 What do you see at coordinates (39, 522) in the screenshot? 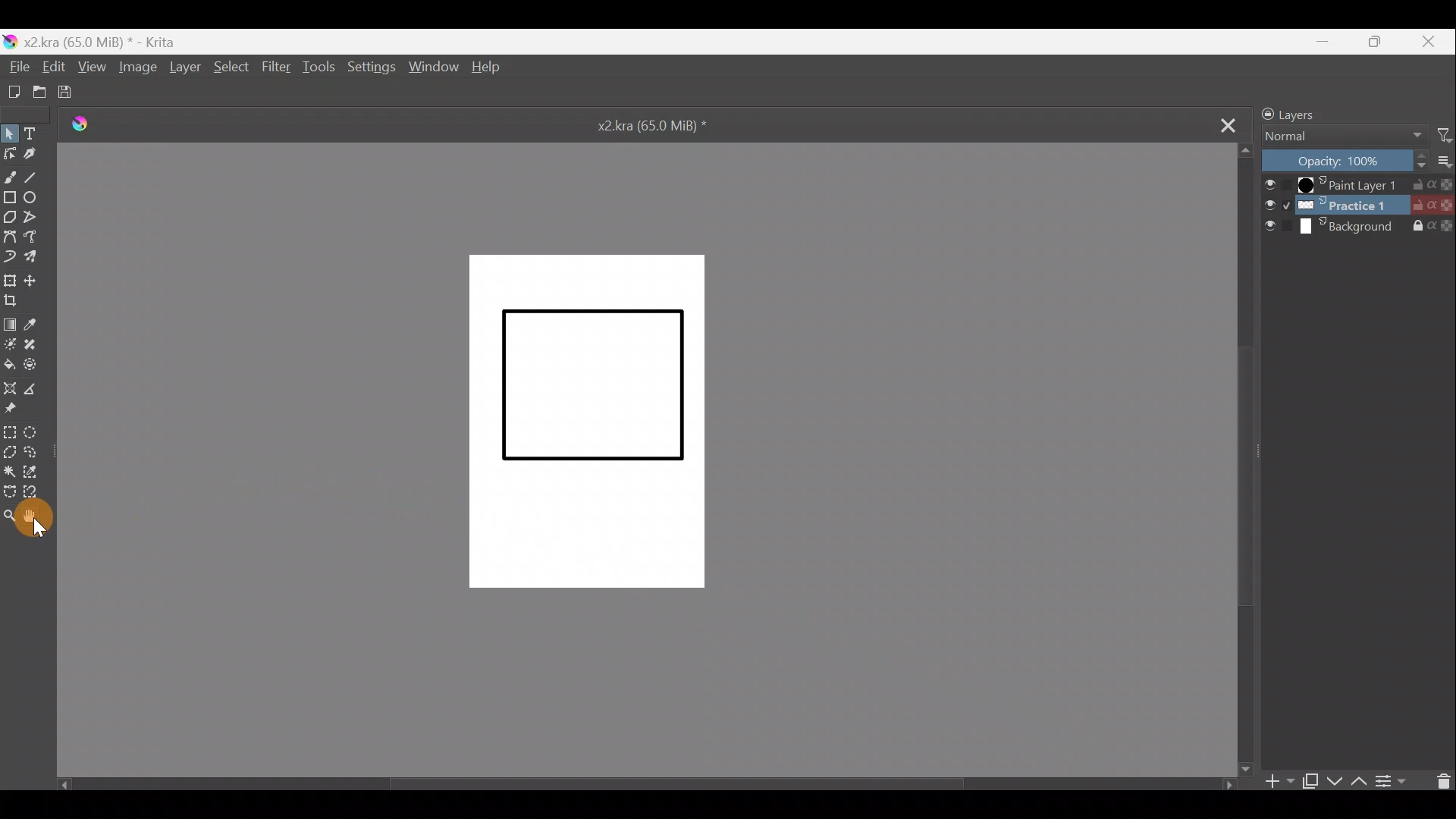
I see `Cursor` at bounding box center [39, 522].